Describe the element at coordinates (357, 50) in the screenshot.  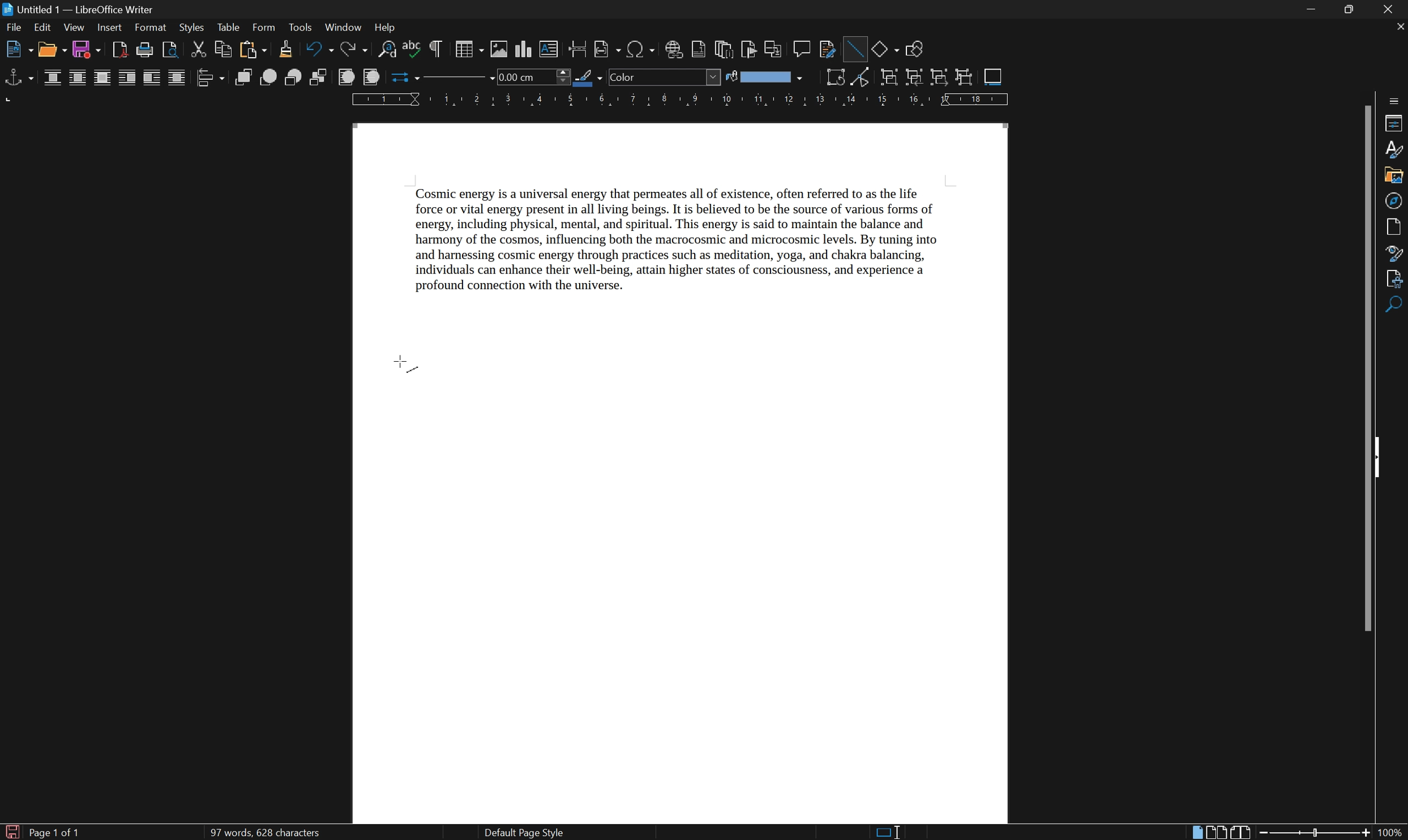
I see `redo` at that location.